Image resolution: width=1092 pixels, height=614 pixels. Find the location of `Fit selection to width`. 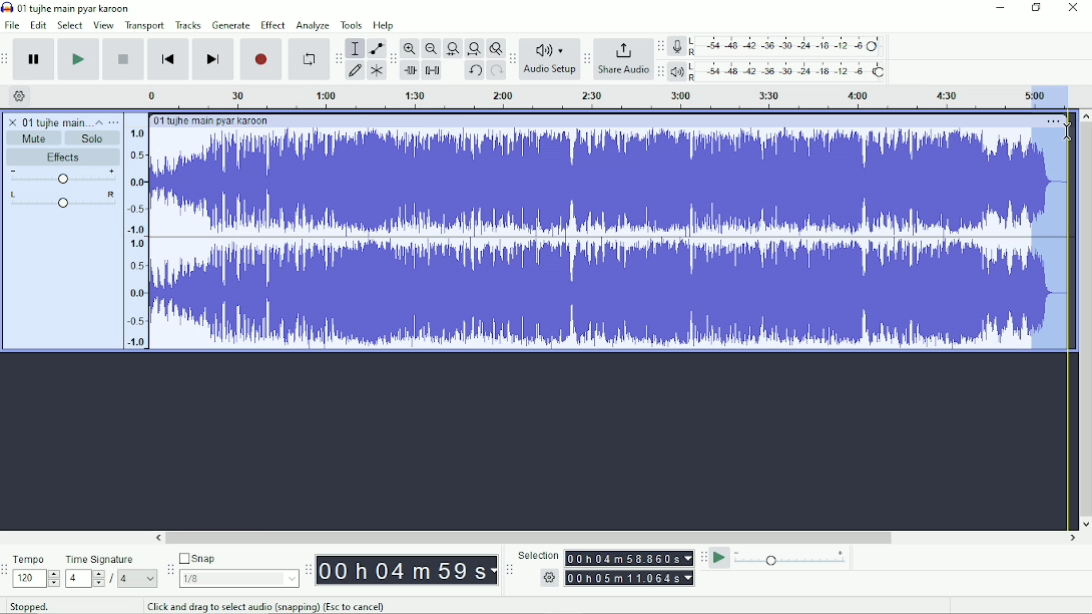

Fit selection to width is located at coordinates (452, 48).